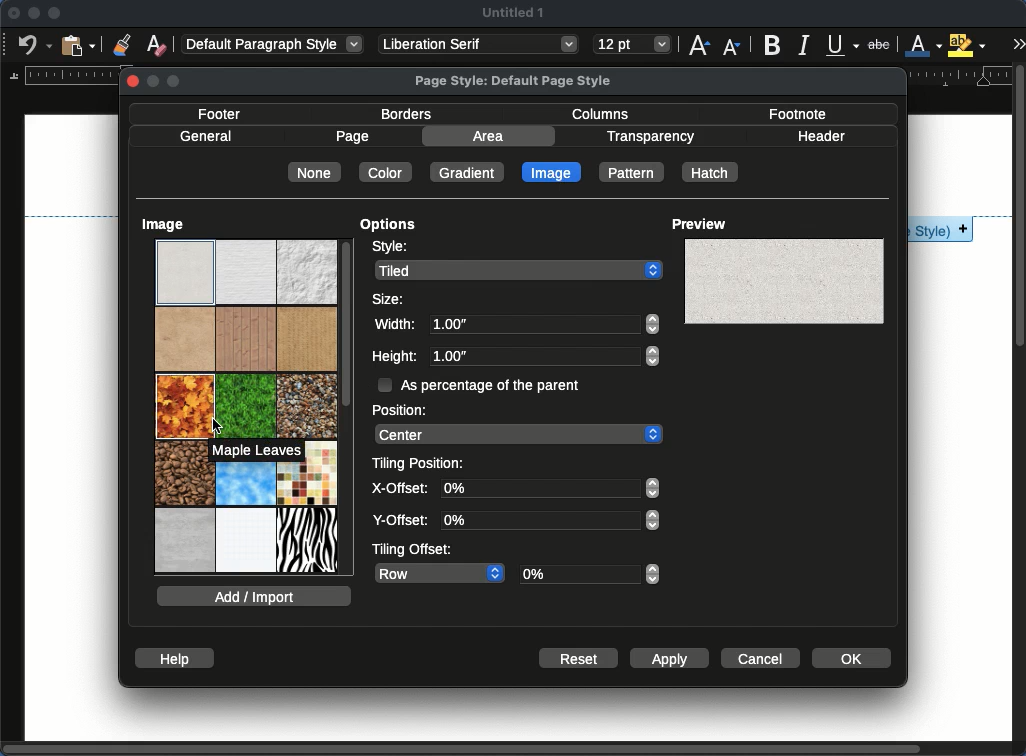  Describe the element at coordinates (603, 115) in the screenshot. I see `columns` at that location.